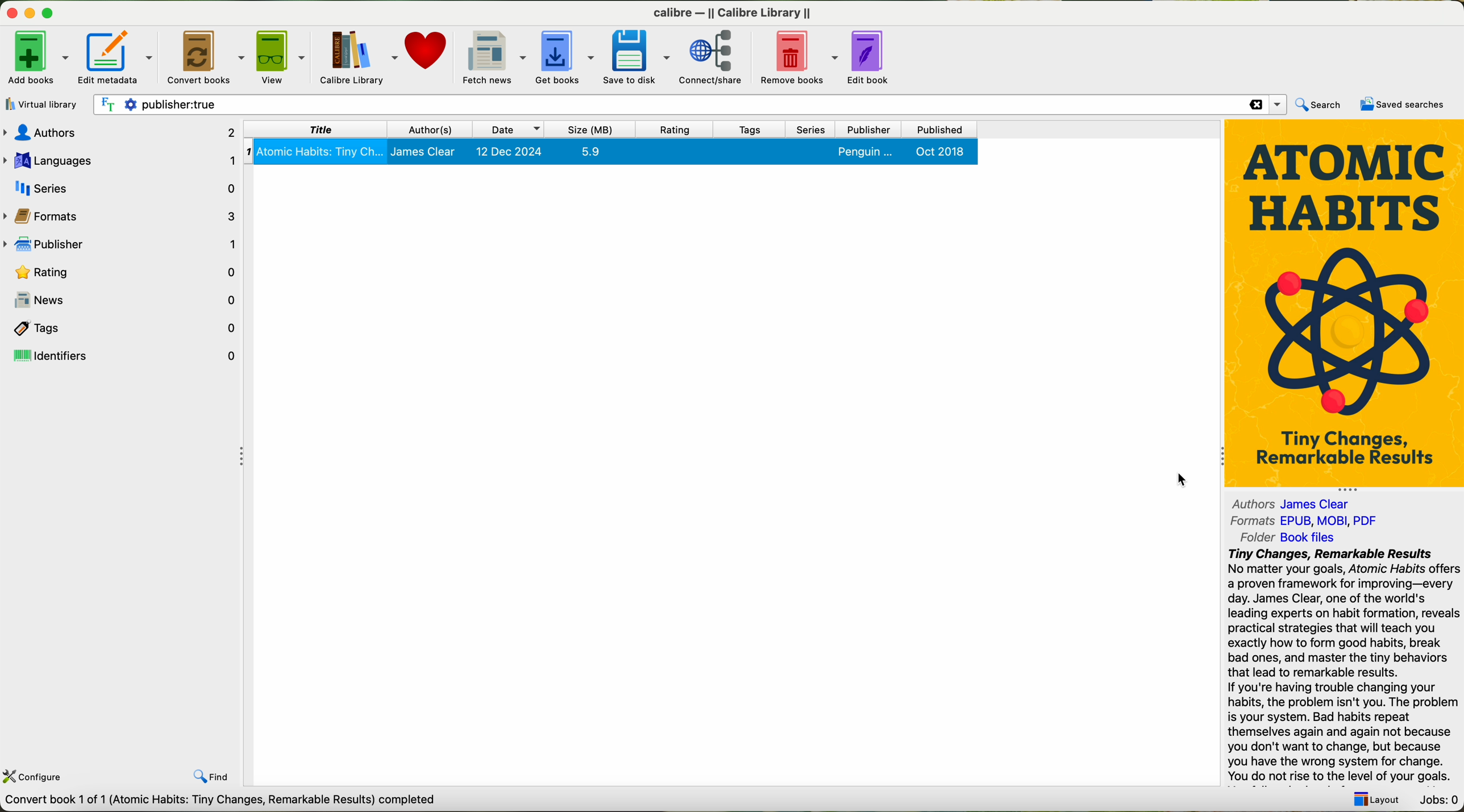 The height and width of the screenshot is (812, 1464). Describe the element at coordinates (868, 57) in the screenshot. I see `edit book` at that location.